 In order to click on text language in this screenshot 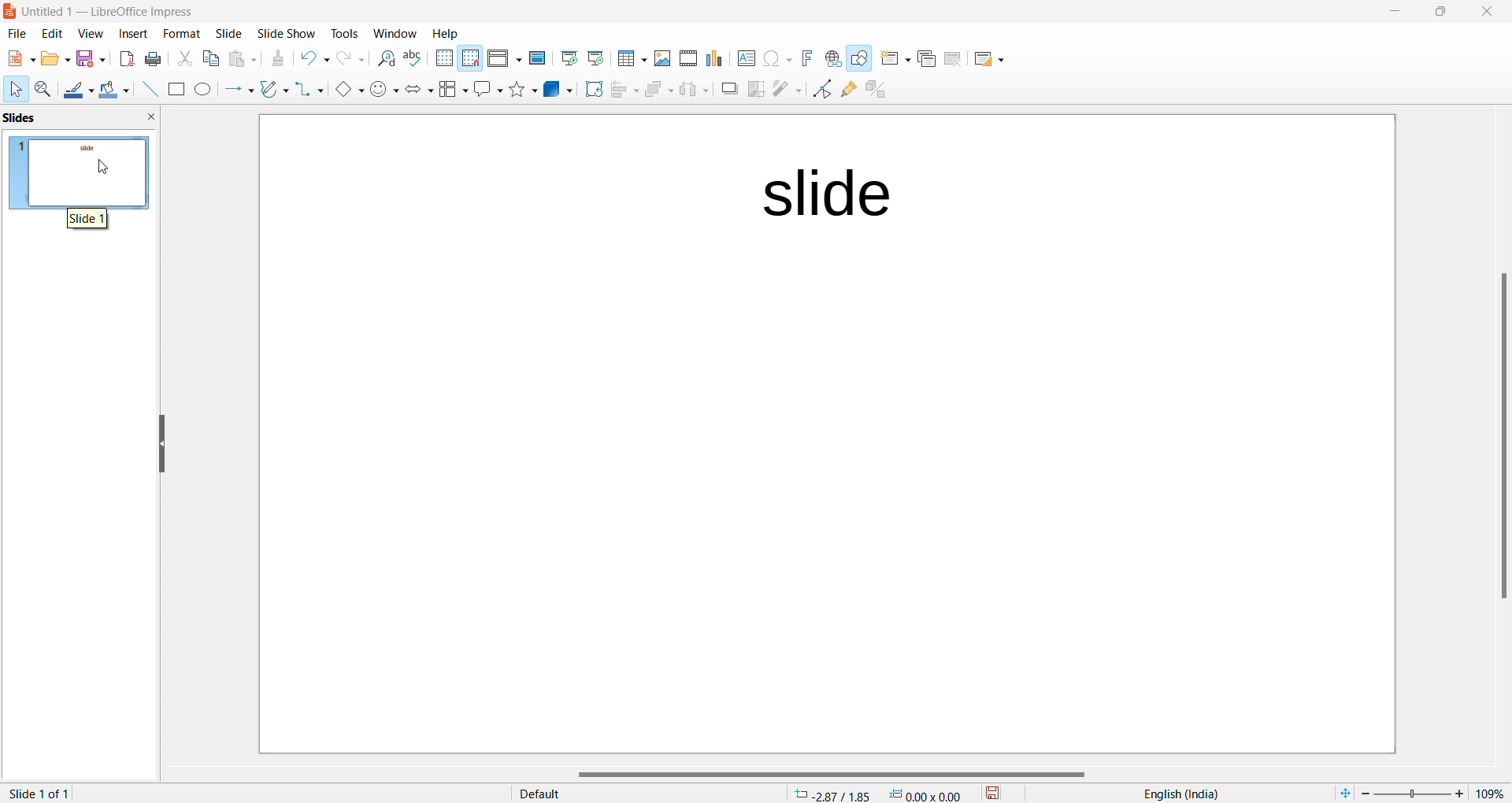, I will do `click(1185, 793)`.